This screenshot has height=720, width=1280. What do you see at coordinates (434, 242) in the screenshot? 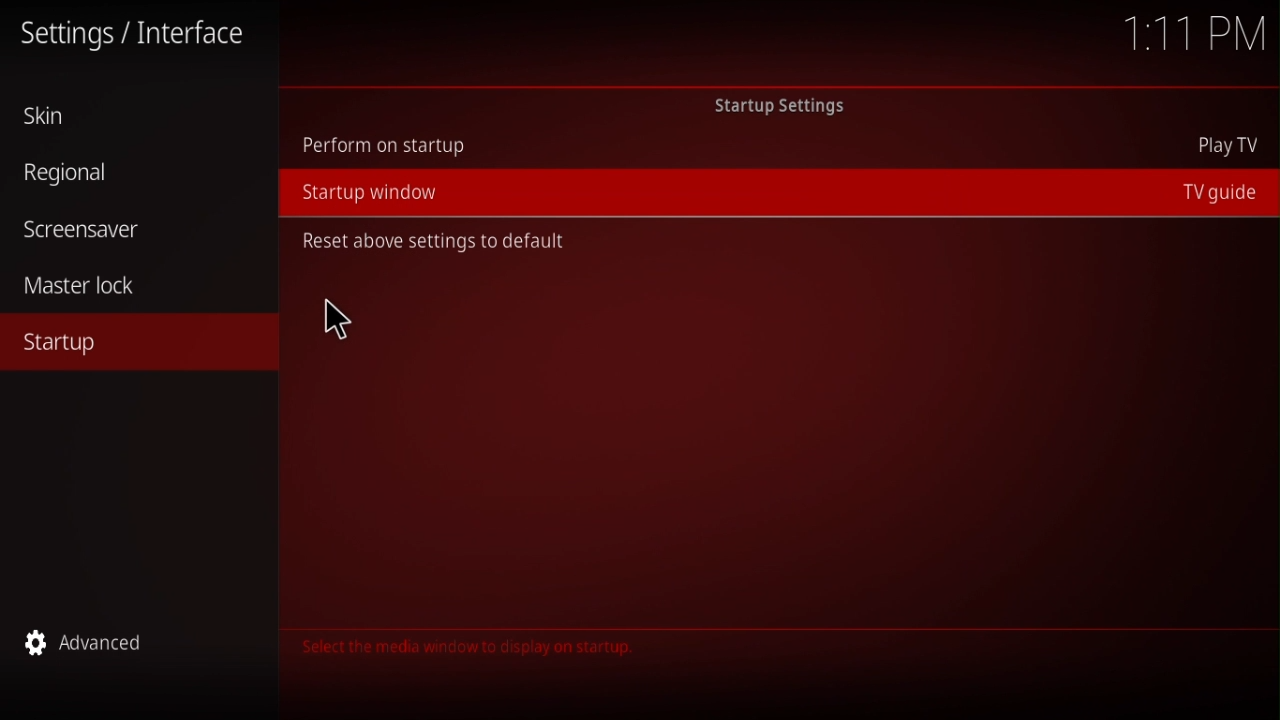
I see `Reset above settings to defualt` at bounding box center [434, 242].